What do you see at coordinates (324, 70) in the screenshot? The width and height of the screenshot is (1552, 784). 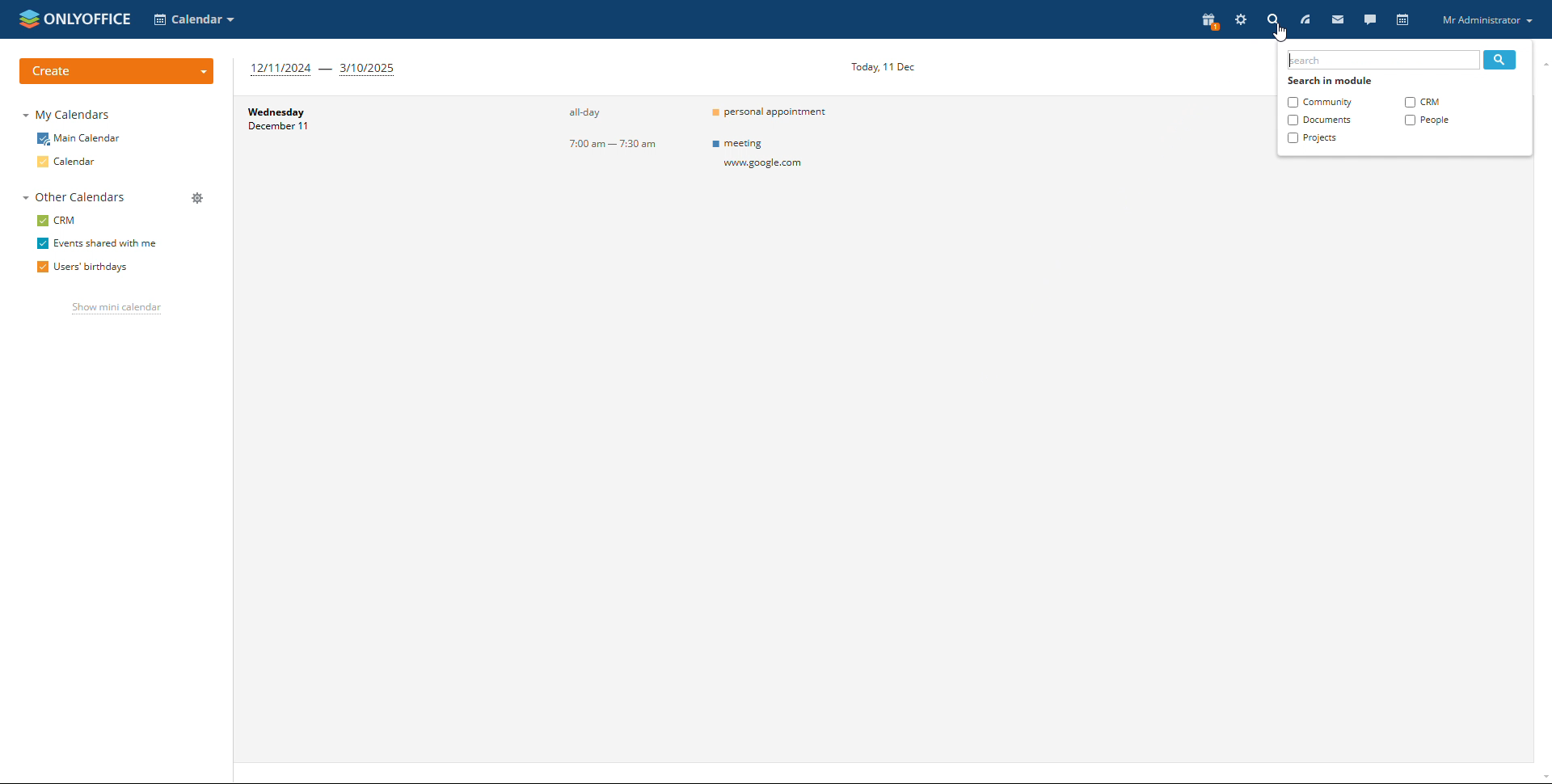 I see `12/11/2024 - 3/10/2025` at bounding box center [324, 70].